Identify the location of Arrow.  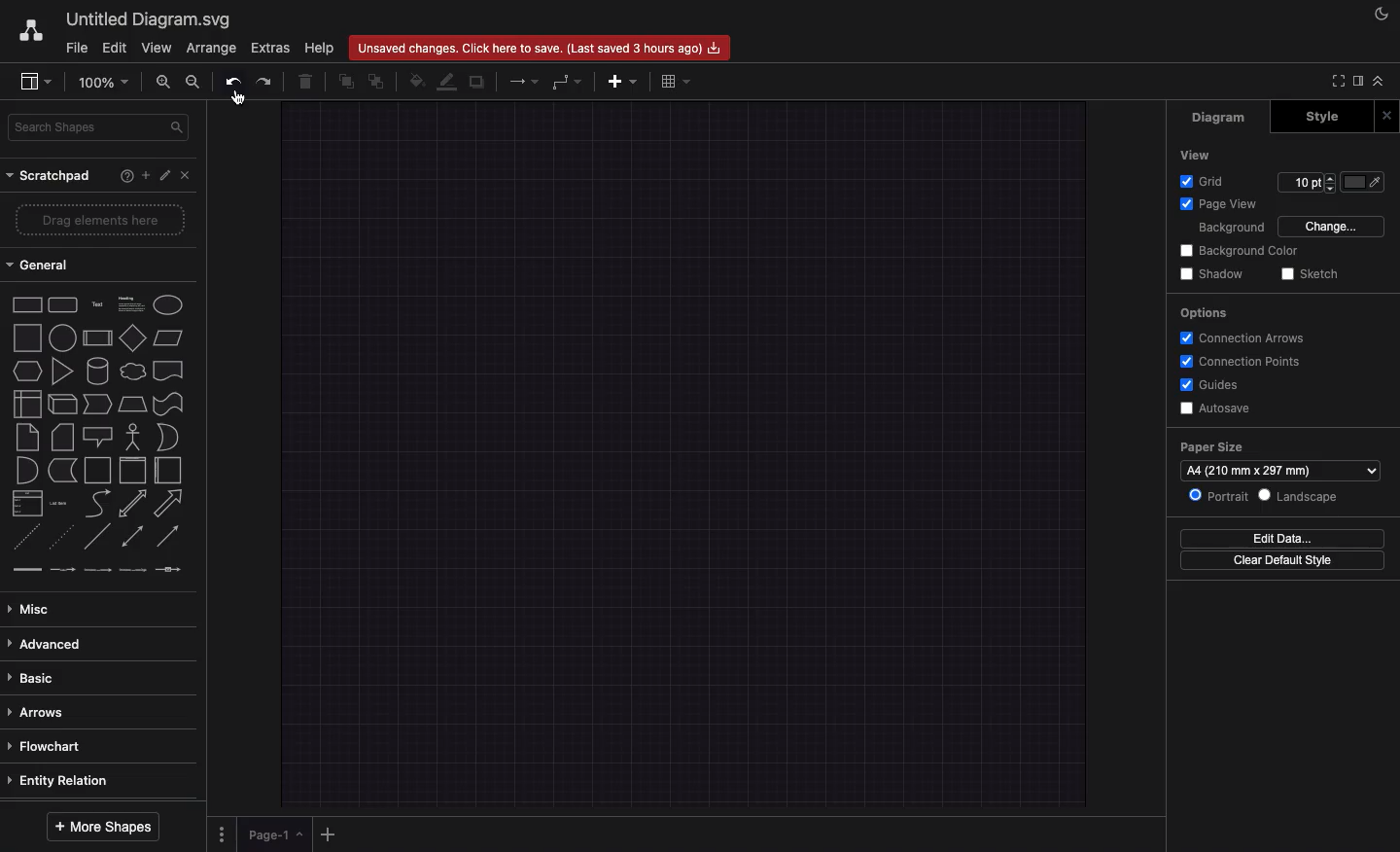
(525, 81).